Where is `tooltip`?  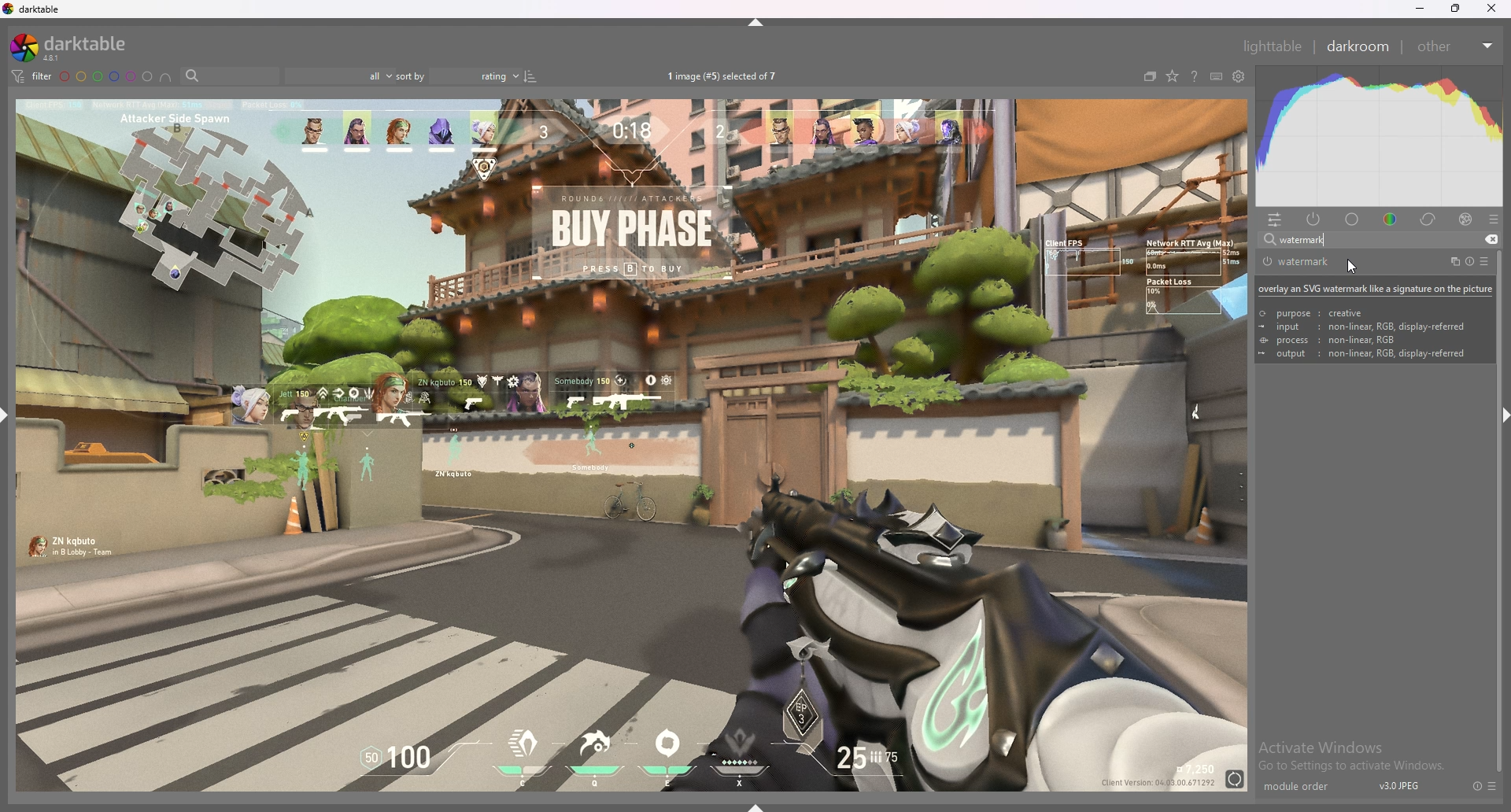 tooltip is located at coordinates (1374, 319).